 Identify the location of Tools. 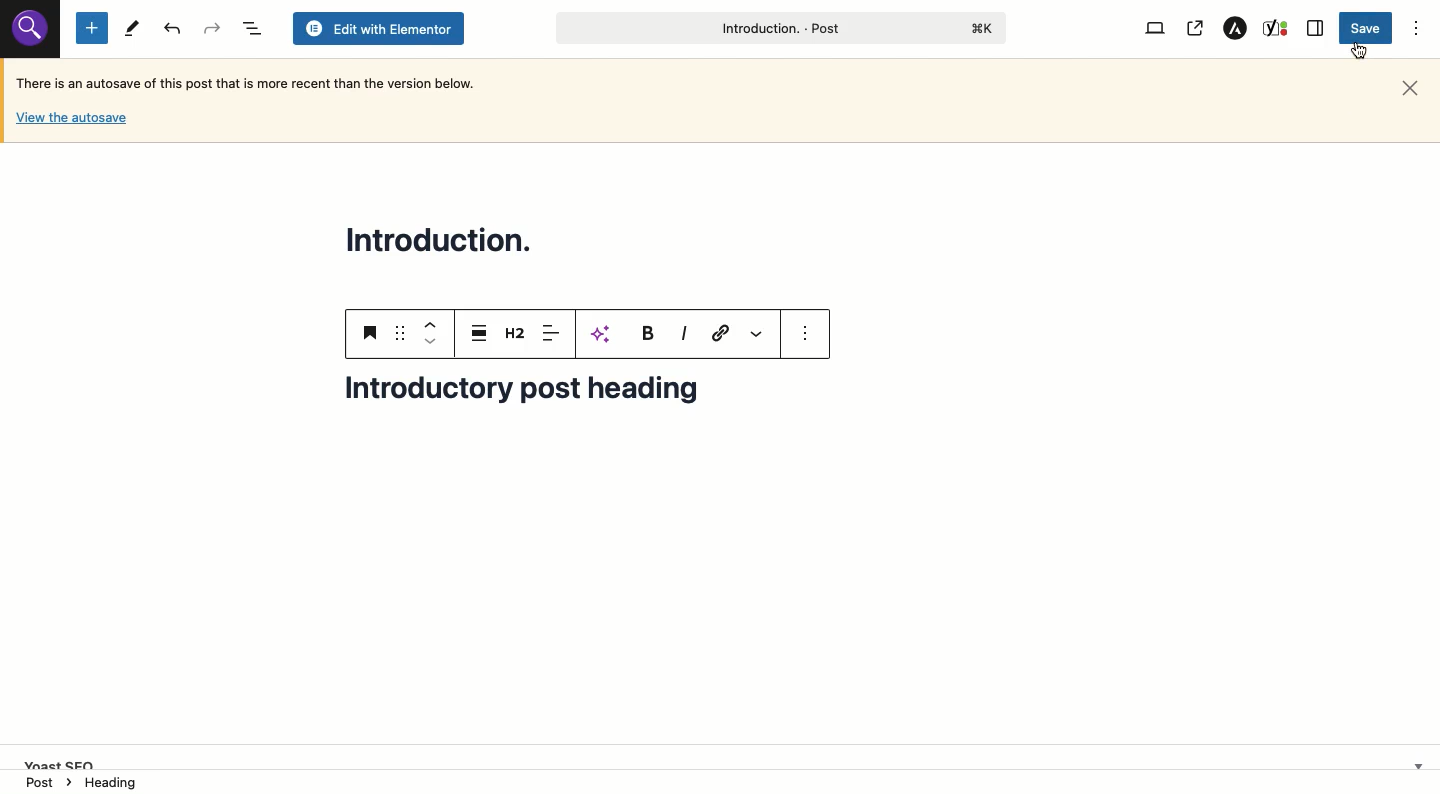
(131, 29).